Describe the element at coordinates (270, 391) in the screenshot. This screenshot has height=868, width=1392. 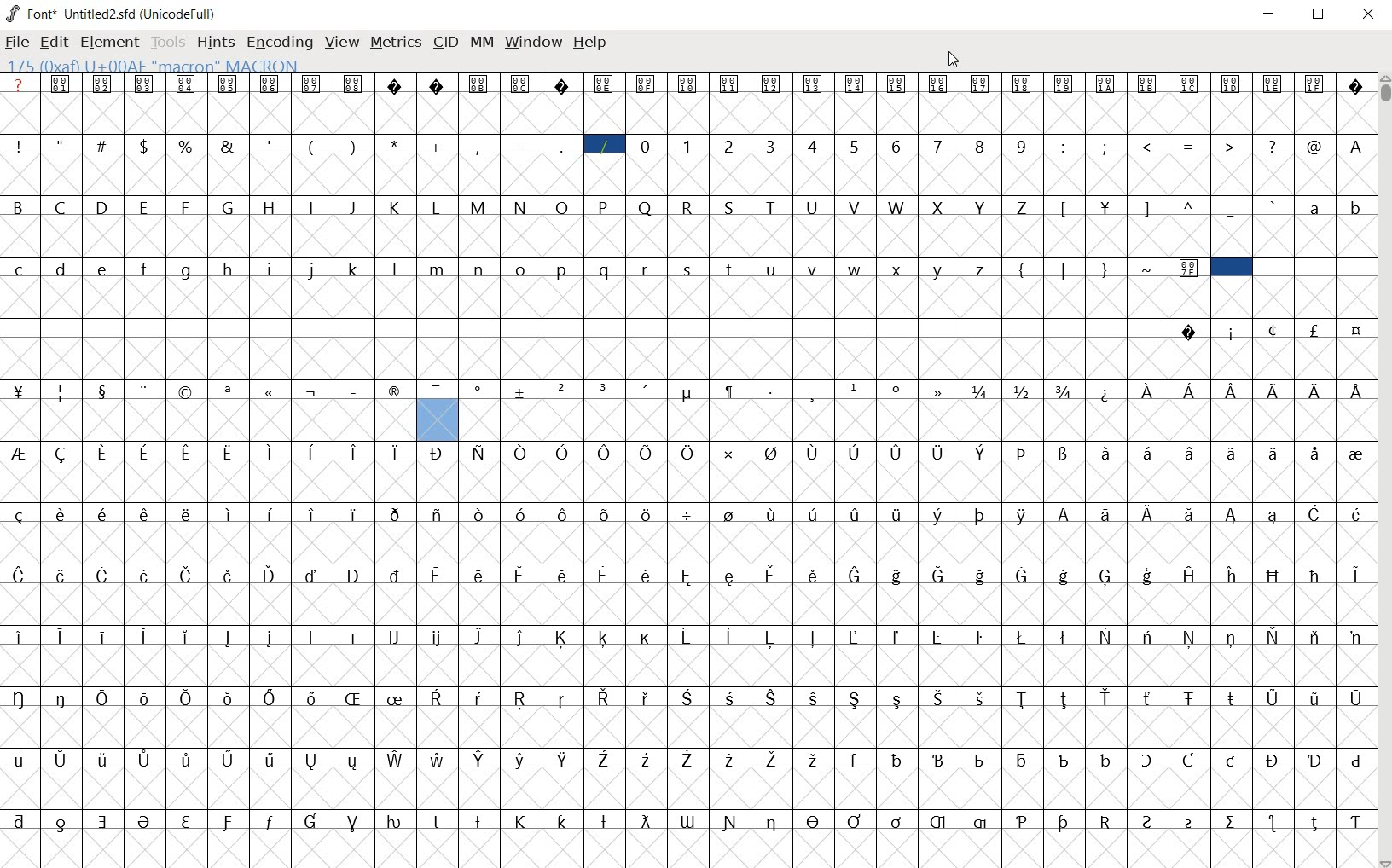
I see `Symbol` at that location.